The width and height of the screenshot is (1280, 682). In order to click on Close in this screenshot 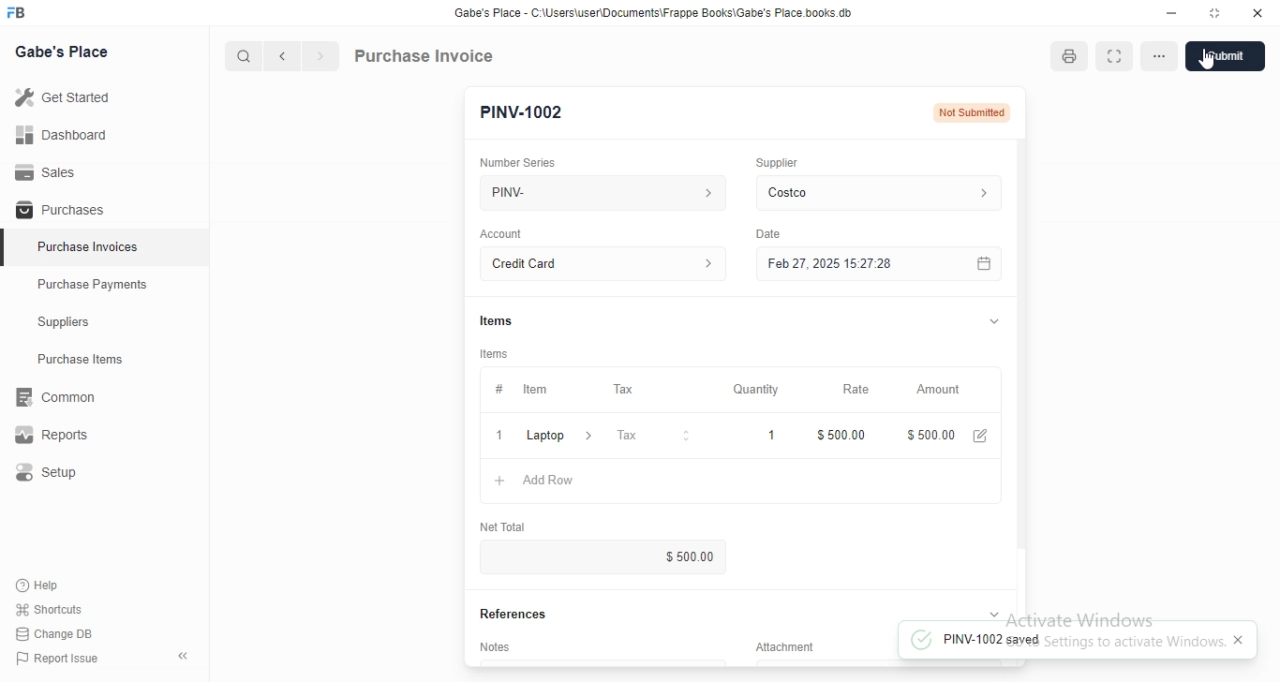, I will do `click(1258, 13)`.